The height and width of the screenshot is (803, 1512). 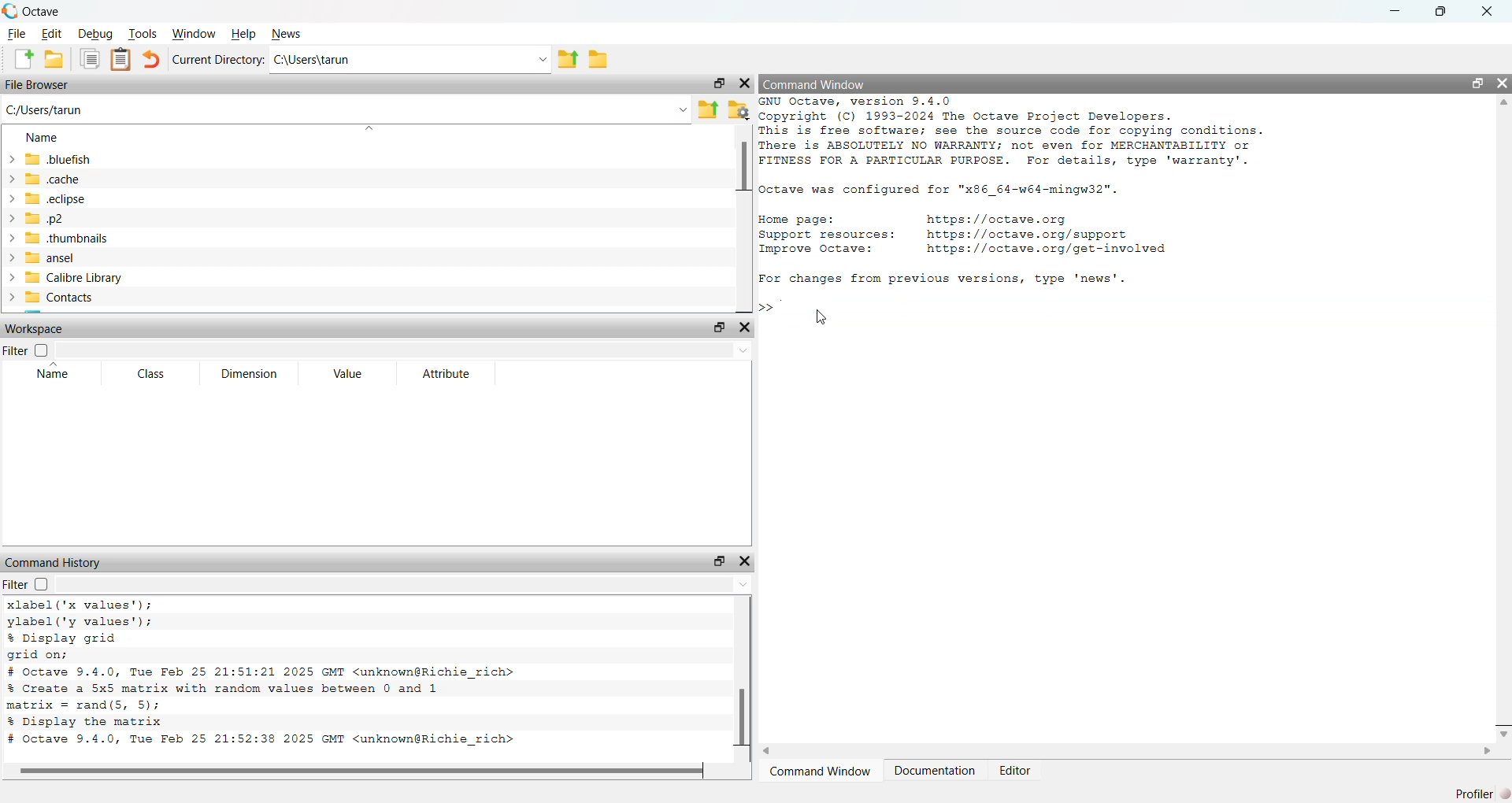 I want to click on maximise, so click(x=713, y=329).